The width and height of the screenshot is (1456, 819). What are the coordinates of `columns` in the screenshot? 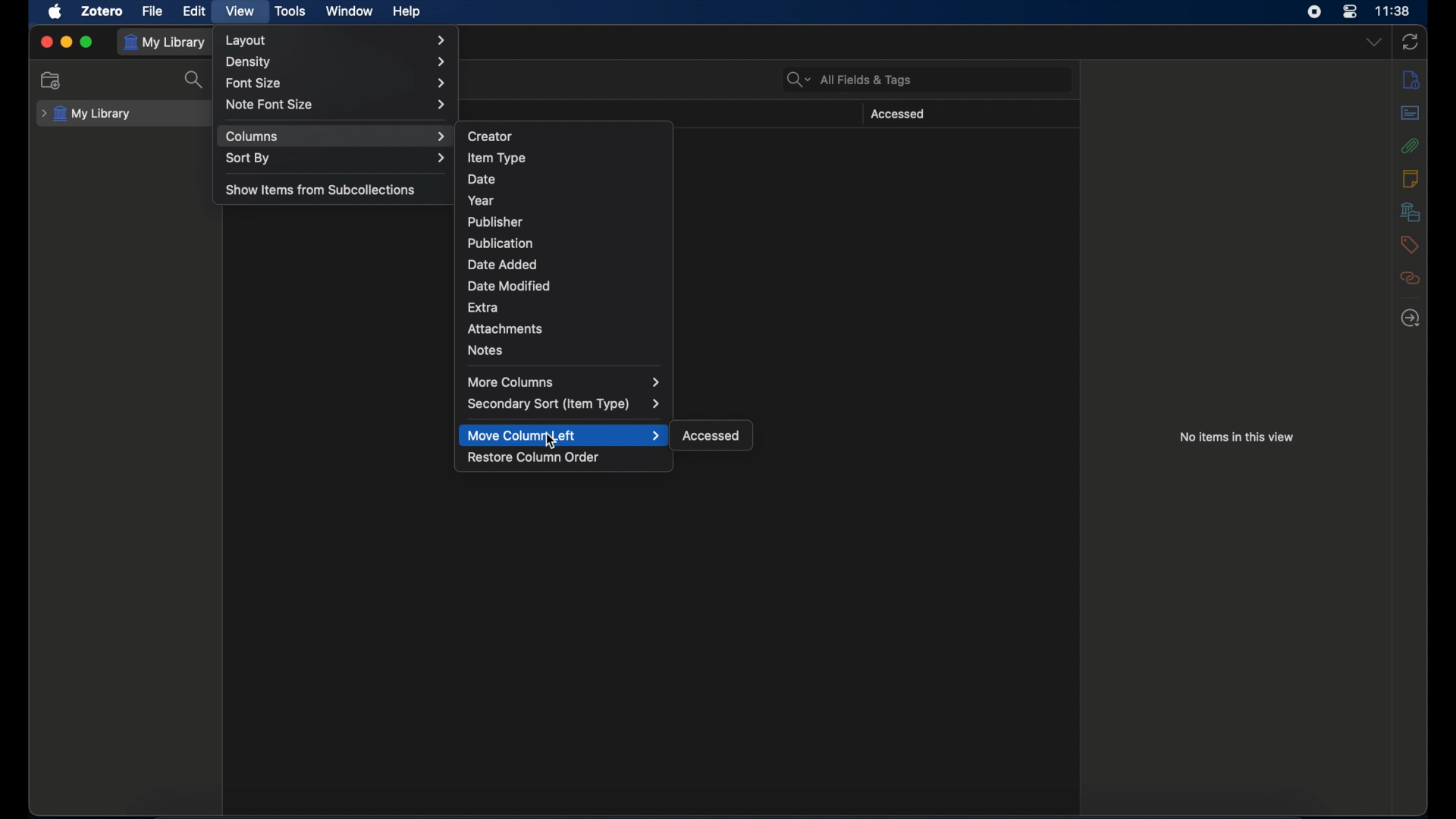 It's located at (335, 136).